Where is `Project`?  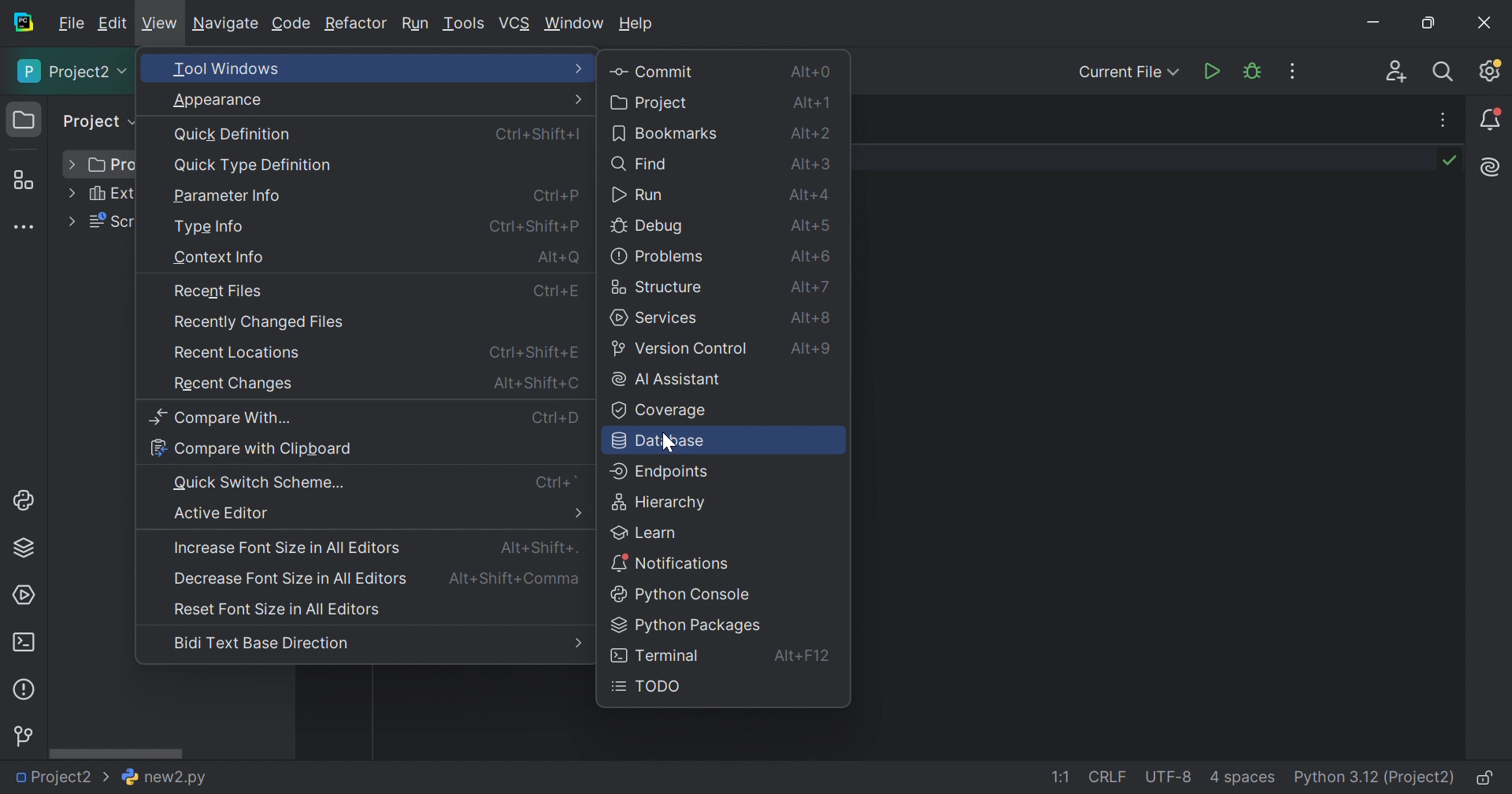
Project is located at coordinates (73, 73).